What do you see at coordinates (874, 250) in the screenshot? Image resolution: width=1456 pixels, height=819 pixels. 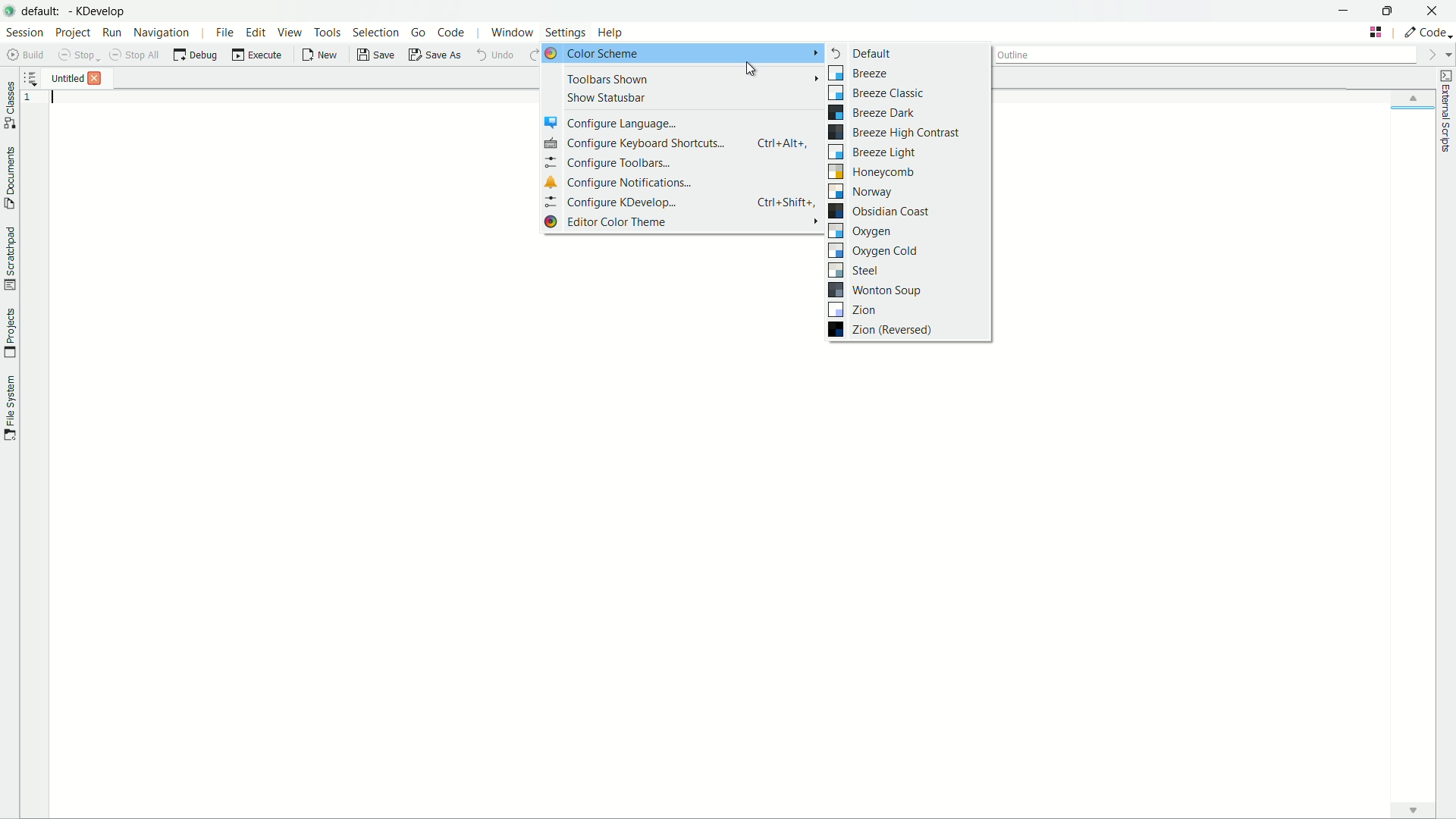 I see `oxygen cold` at bounding box center [874, 250].